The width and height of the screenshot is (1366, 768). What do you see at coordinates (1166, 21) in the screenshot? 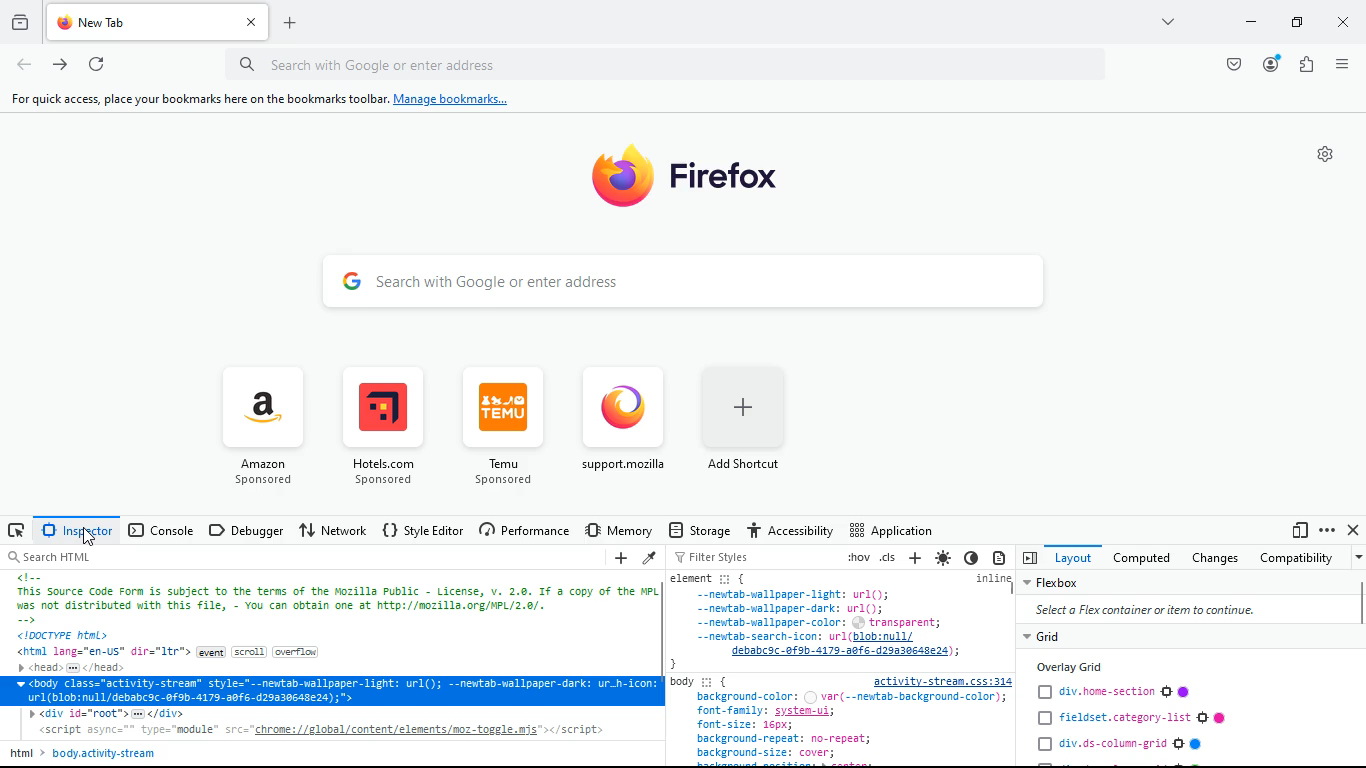
I see `more` at bounding box center [1166, 21].